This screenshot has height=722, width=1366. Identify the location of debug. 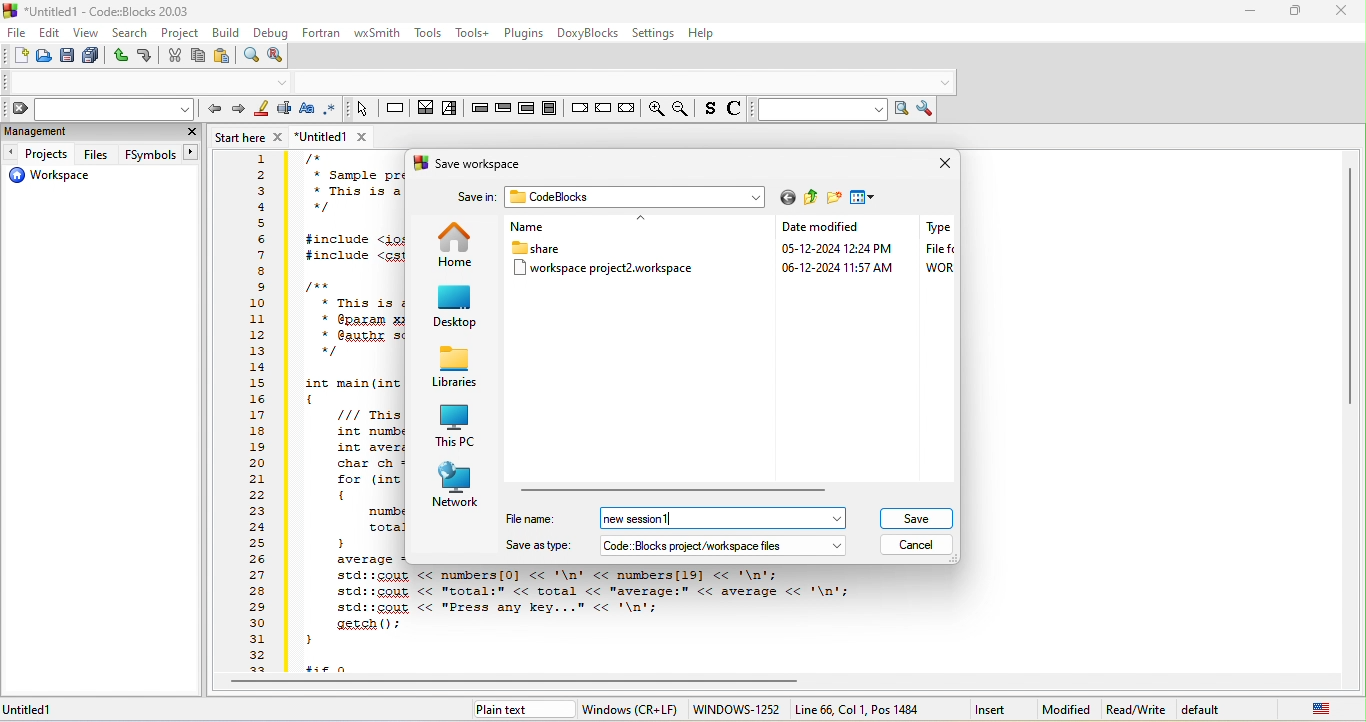
(270, 34).